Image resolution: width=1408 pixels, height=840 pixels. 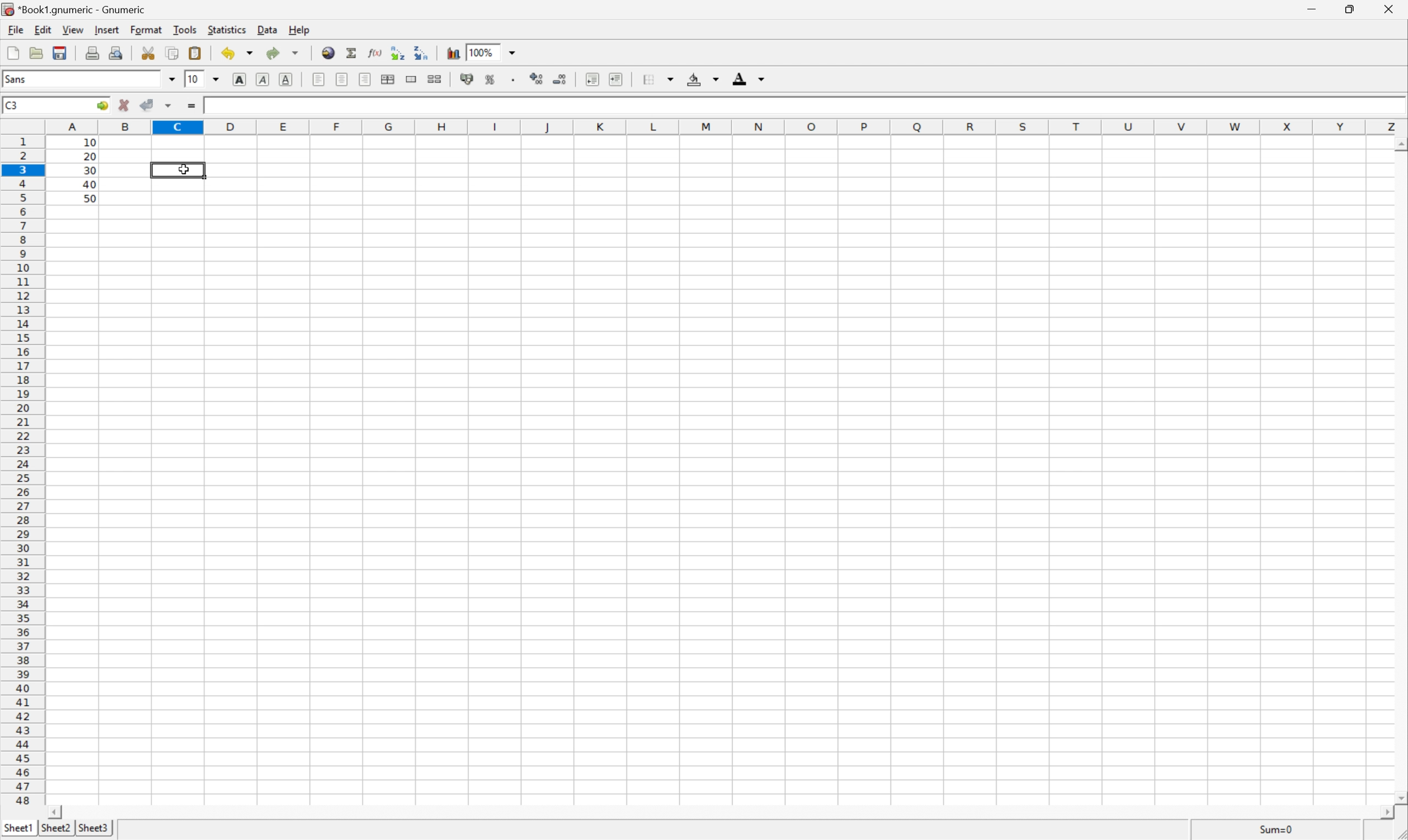 I want to click on Scroll Up, so click(x=1400, y=143).